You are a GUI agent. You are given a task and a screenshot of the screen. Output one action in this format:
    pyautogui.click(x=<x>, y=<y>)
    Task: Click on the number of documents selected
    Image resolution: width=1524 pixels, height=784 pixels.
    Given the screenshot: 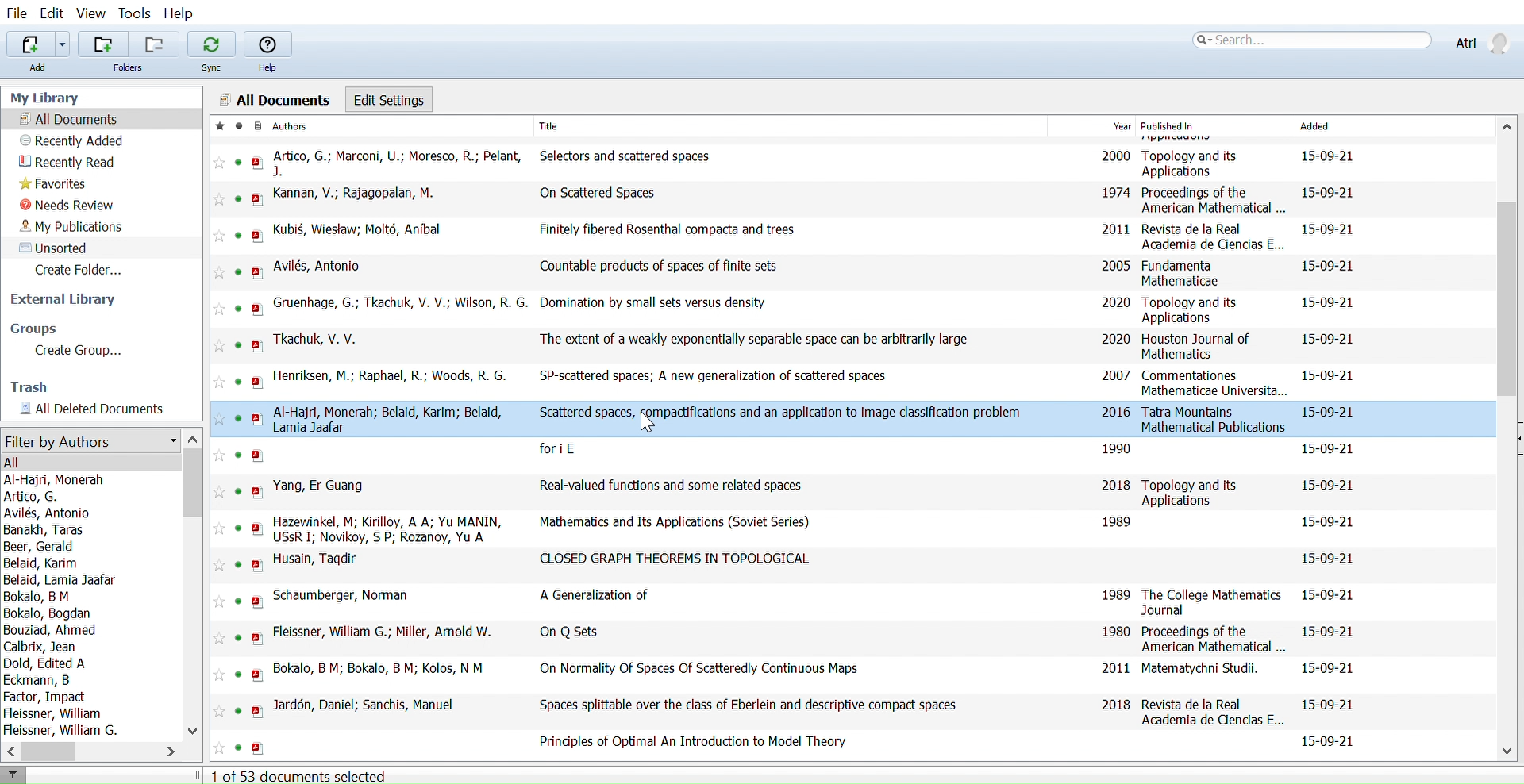 What is the action you would take?
    pyautogui.click(x=299, y=776)
    